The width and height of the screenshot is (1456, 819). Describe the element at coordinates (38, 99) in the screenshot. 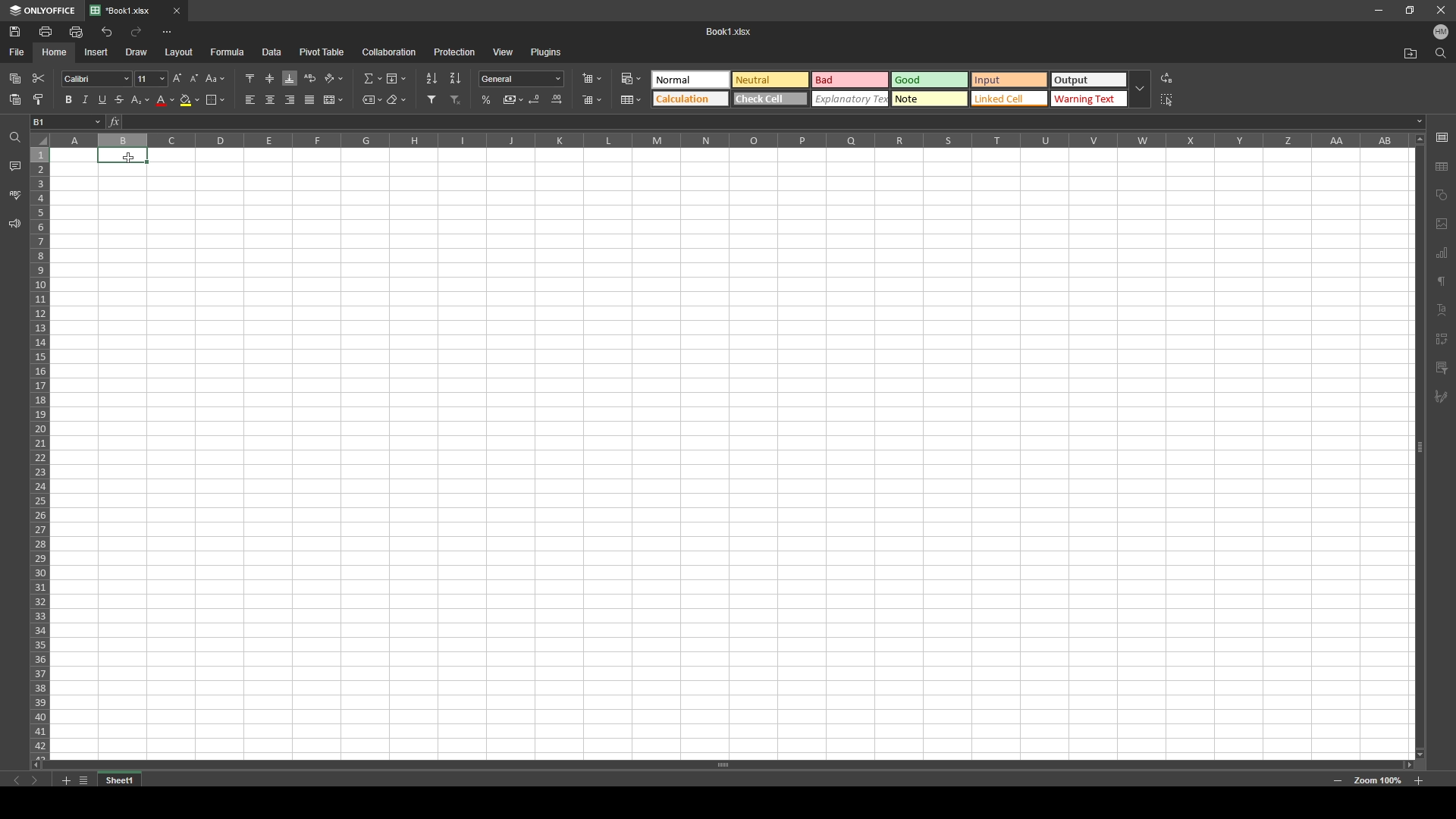

I see `copy style` at that location.